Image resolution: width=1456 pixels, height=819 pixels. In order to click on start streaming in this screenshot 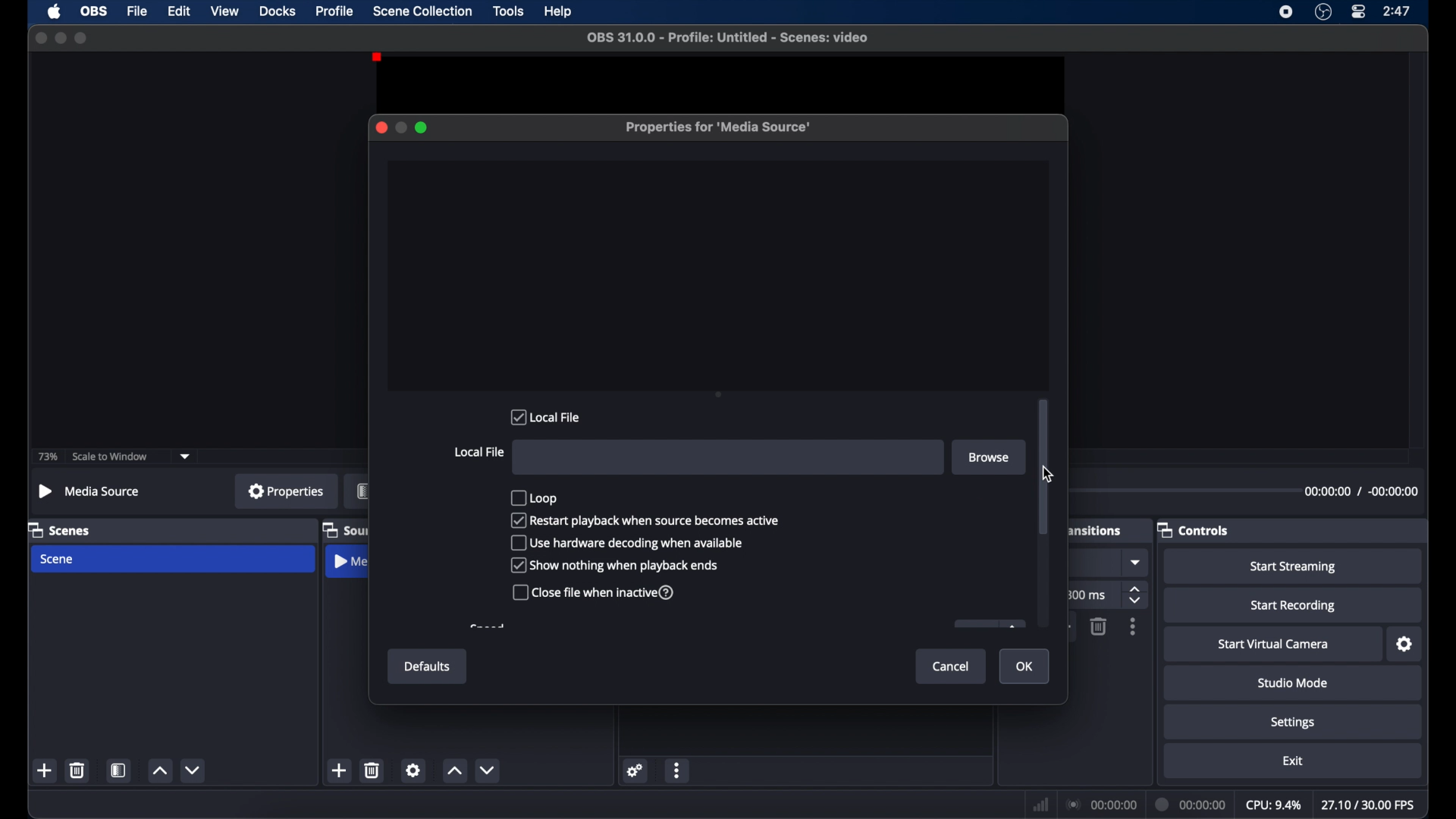, I will do `click(1292, 566)`.